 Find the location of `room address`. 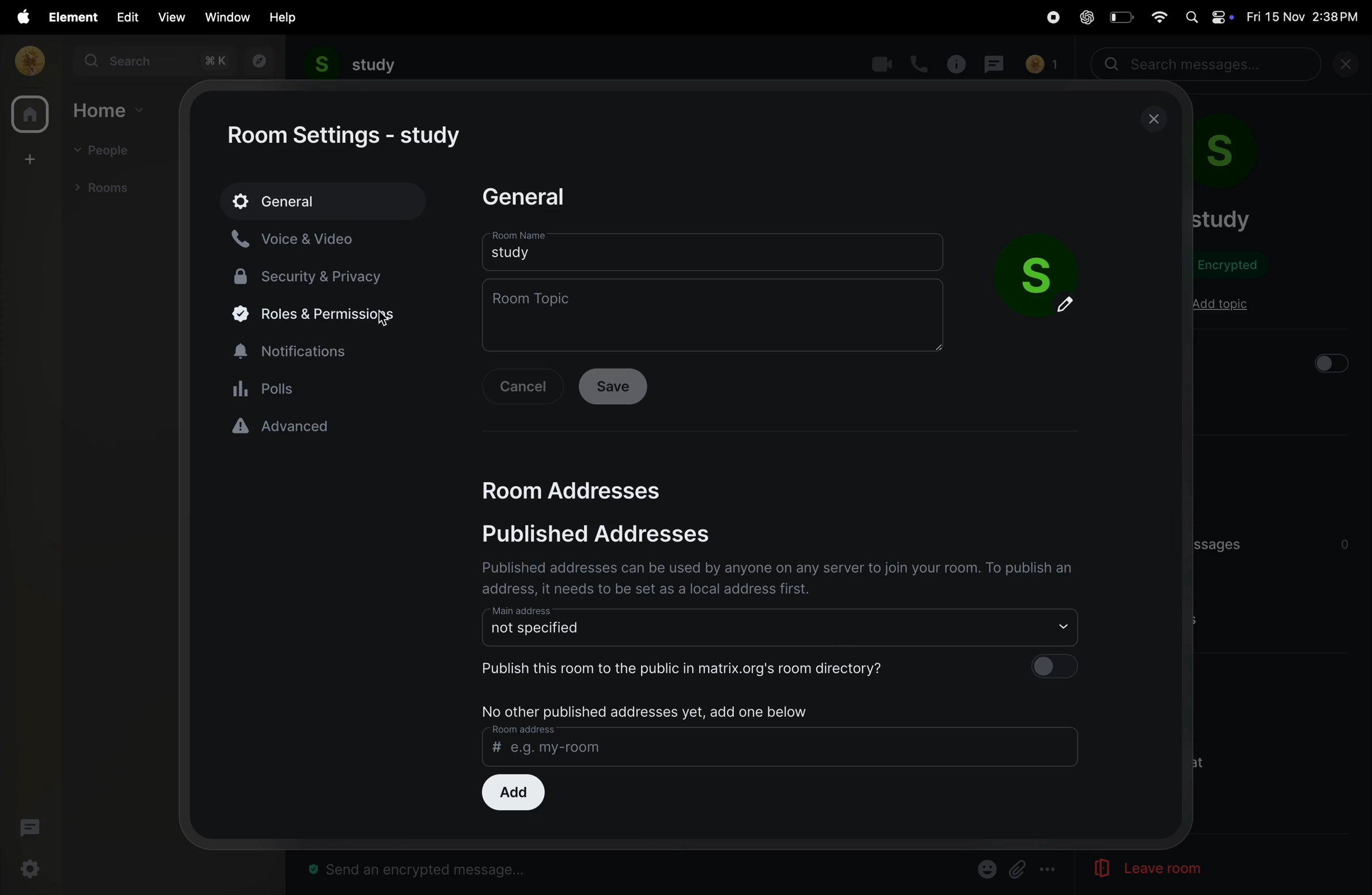

room address is located at coordinates (782, 744).